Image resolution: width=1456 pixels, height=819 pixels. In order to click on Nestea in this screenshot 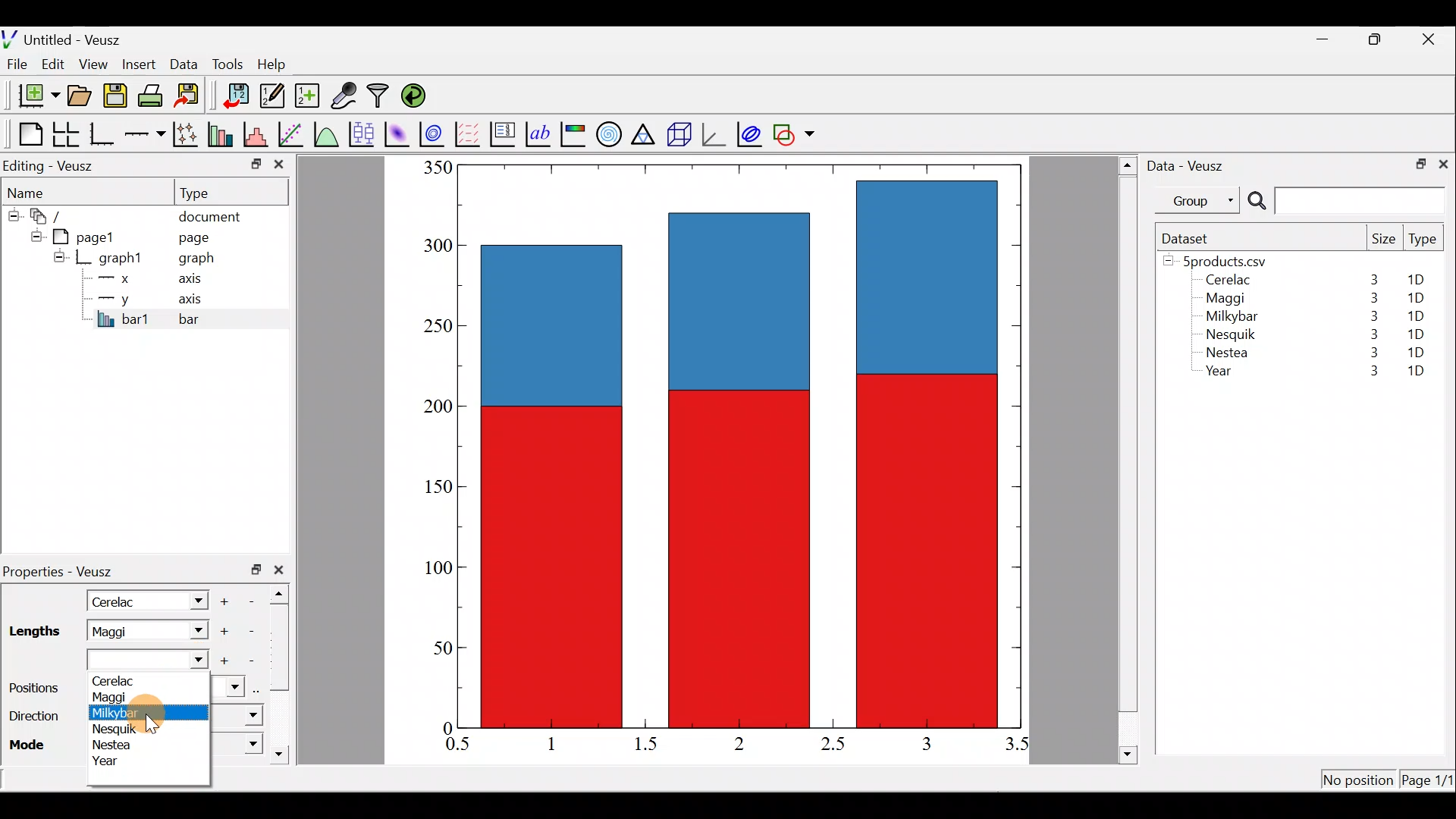, I will do `click(1228, 353)`.